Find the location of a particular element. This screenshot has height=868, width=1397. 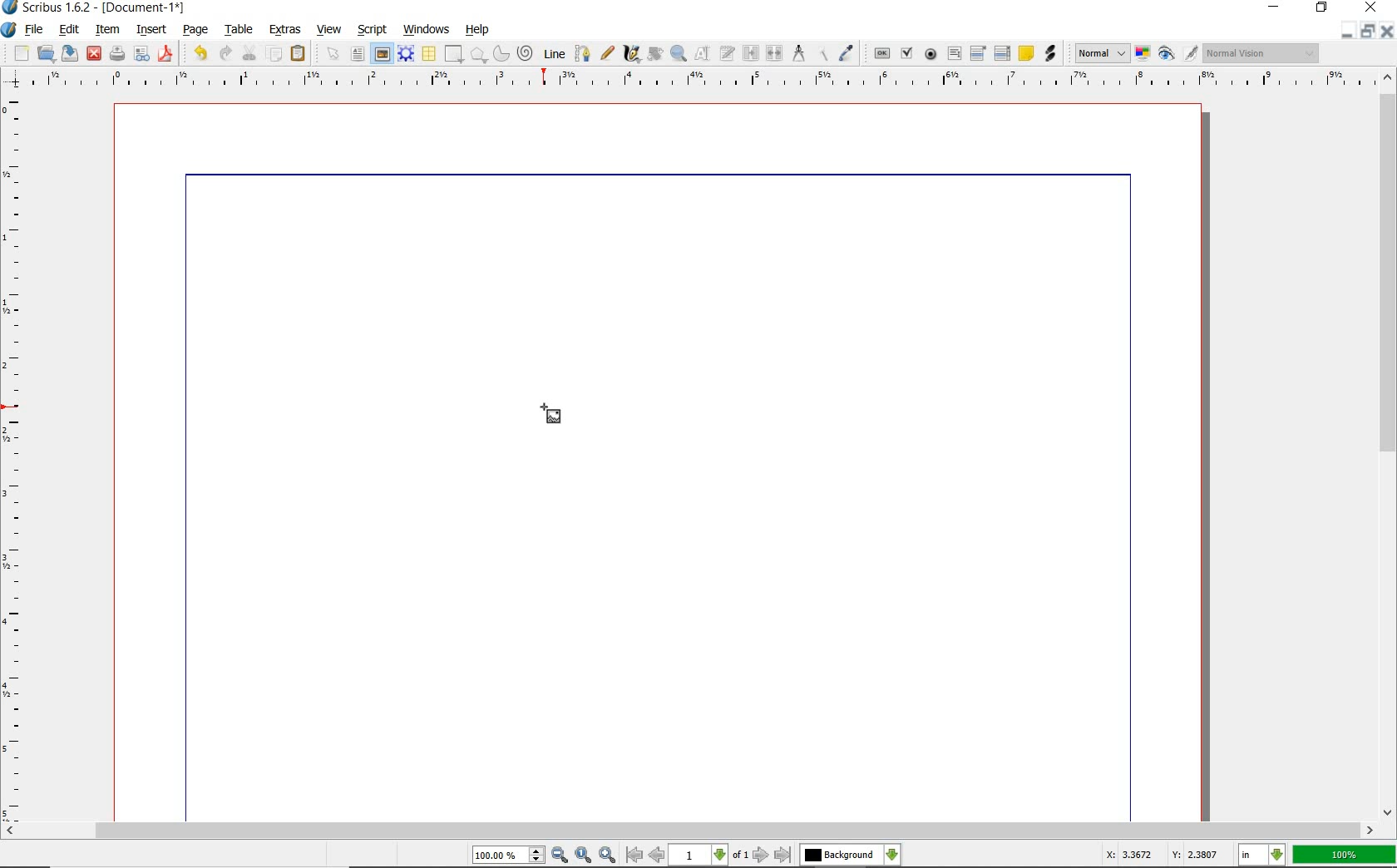

preview mode is located at coordinates (1177, 52).